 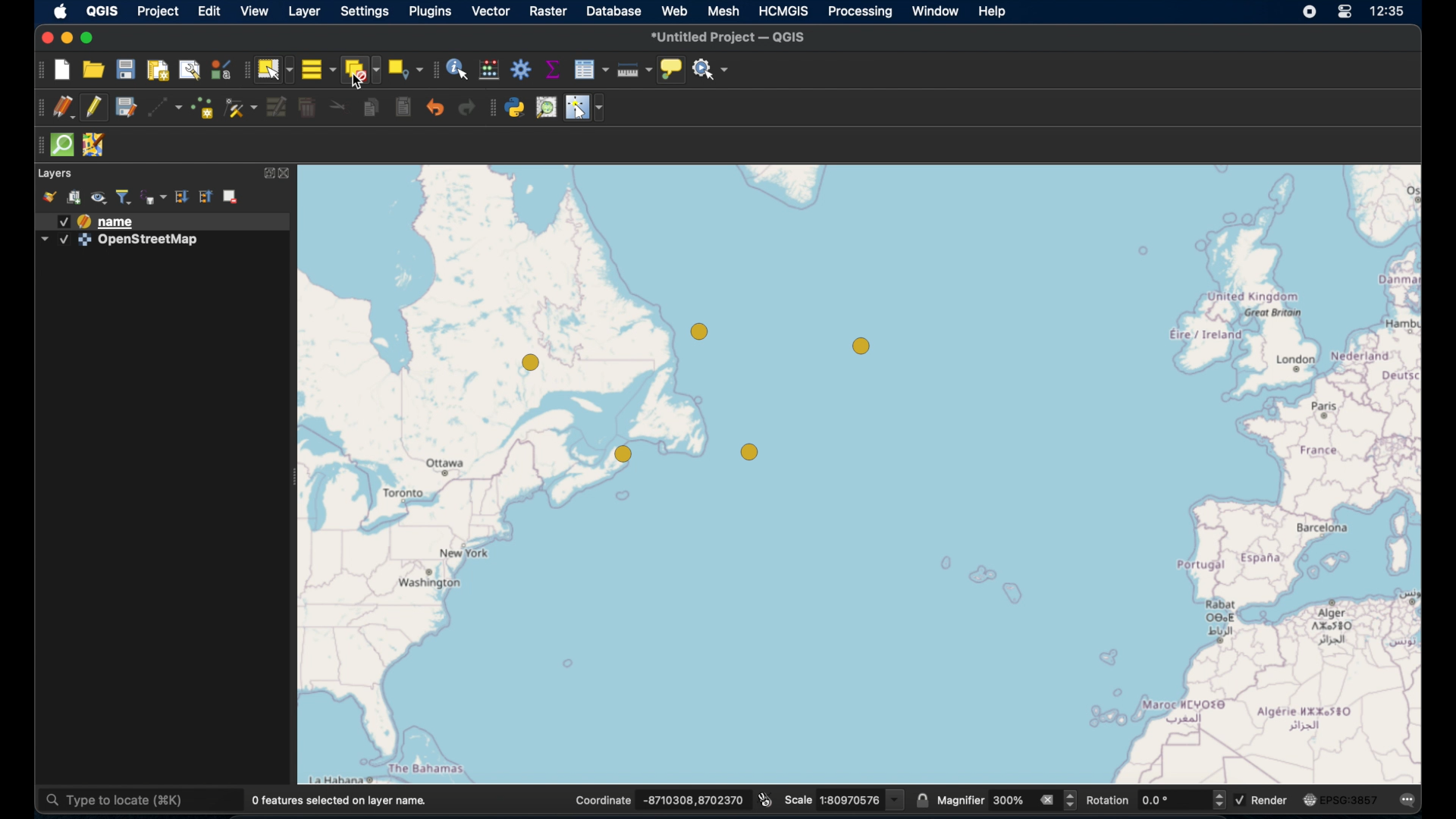 What do you see at coordinates (675, 11) in the screenshot?
I see `web` at bounding box center [675, 11].